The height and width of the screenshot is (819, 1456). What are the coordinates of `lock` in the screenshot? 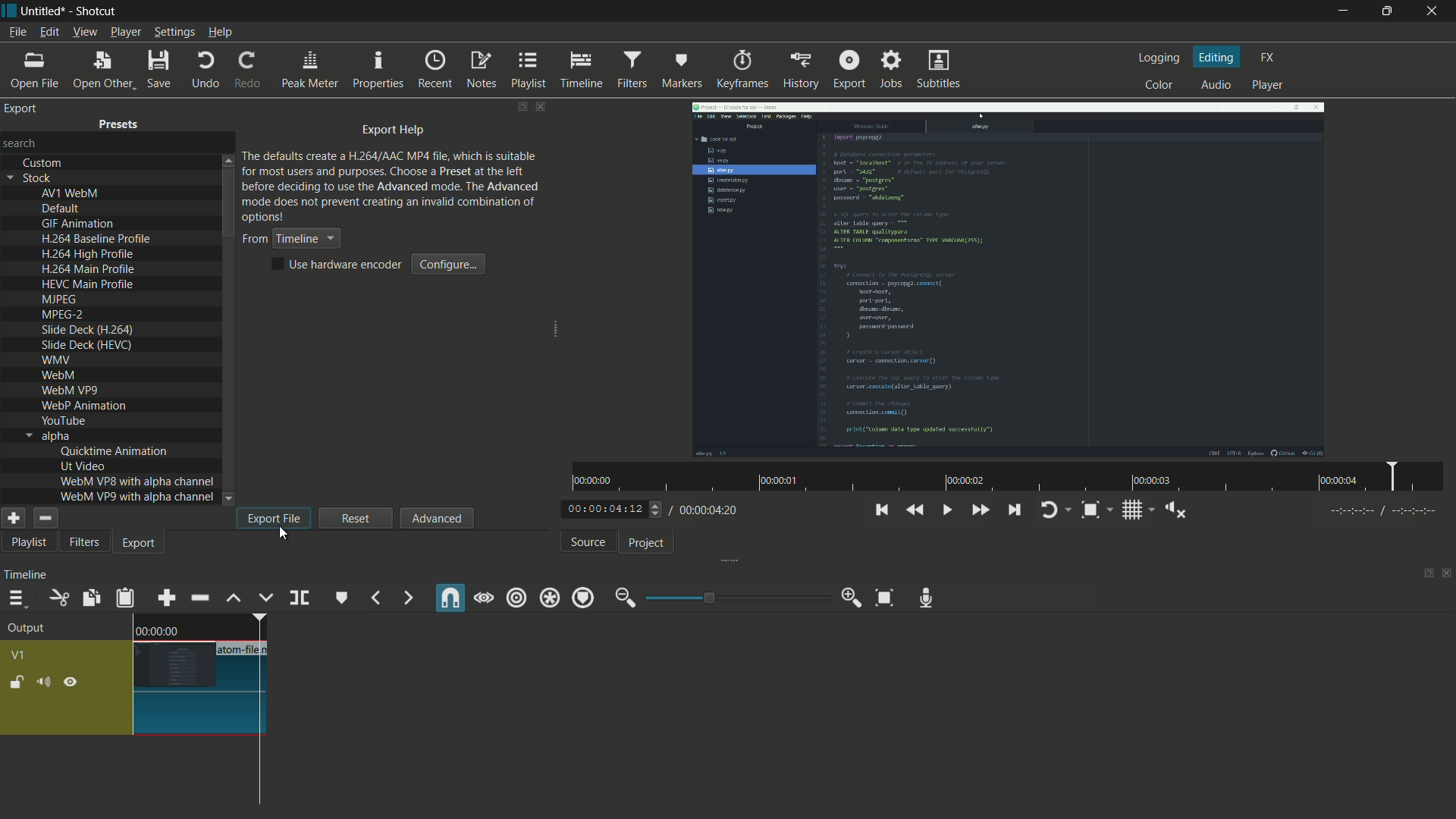 It's located at (17, 682).